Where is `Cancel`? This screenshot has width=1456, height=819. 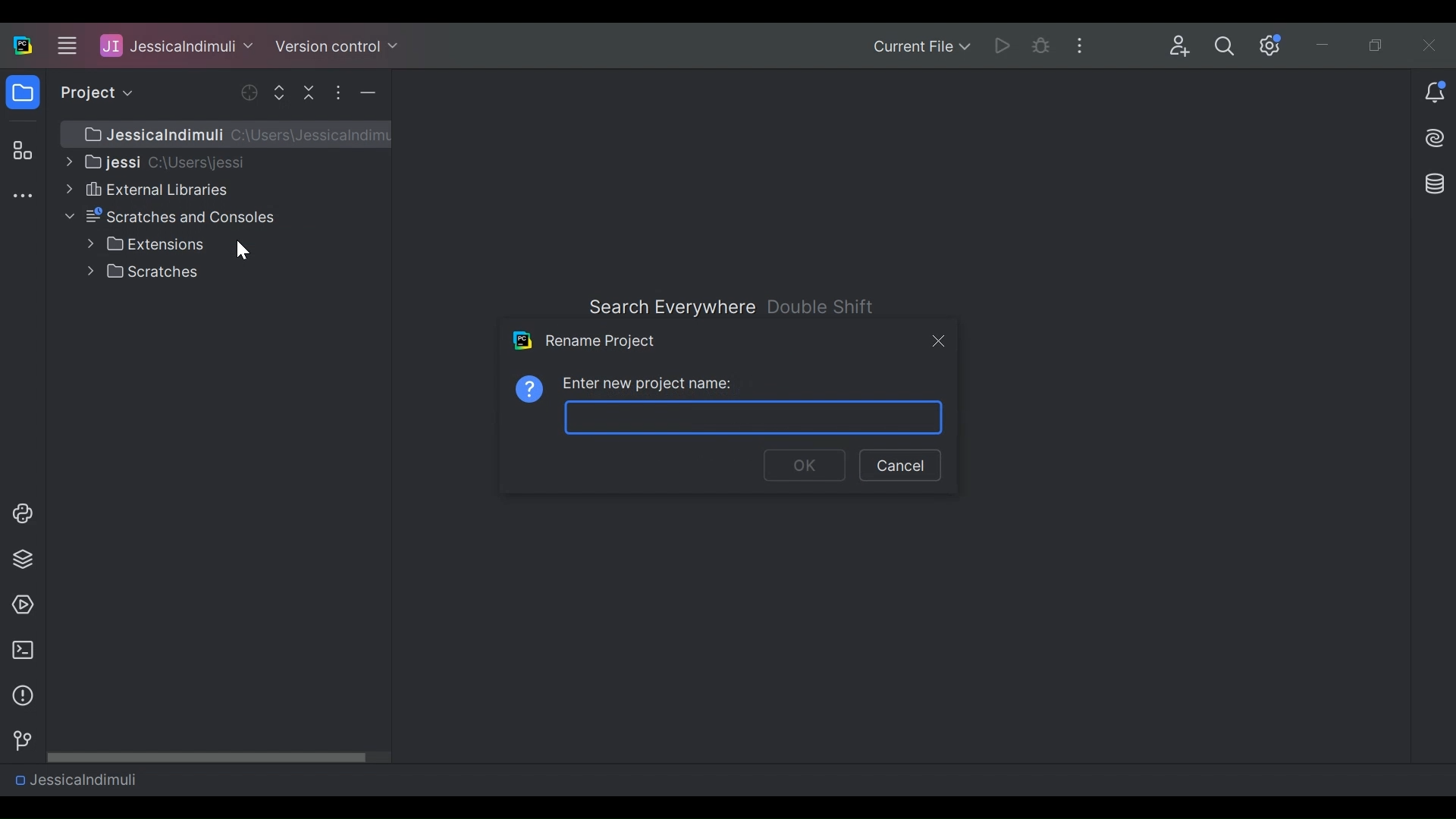 Cancel is located at coordinates (899, 466).